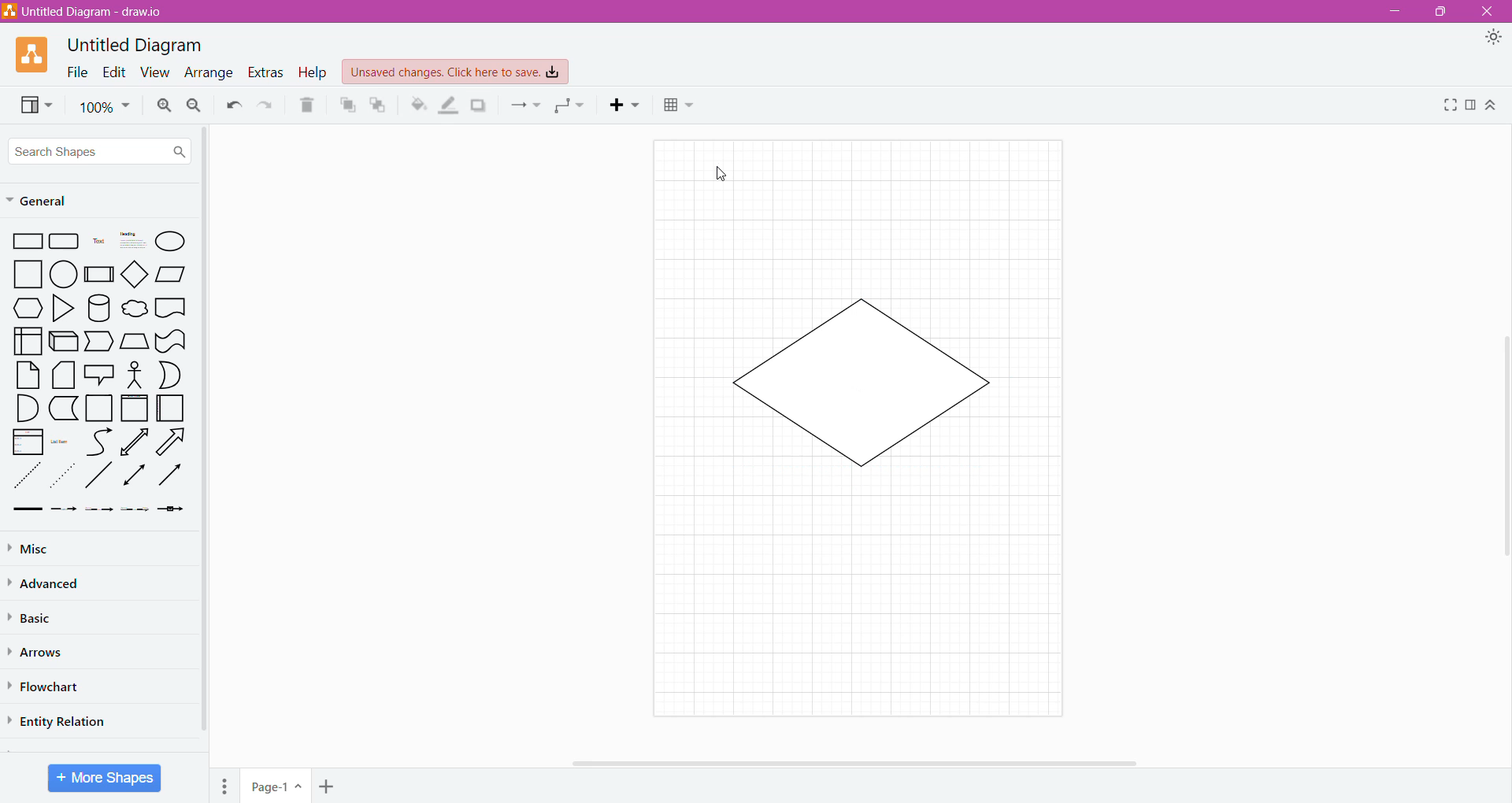 Image resolution: width=1512 pixels, height=803 pixels. What do you see at coordinates (313, 73) in the screenshot?
I see `Help` at bounding box center [313, 73].